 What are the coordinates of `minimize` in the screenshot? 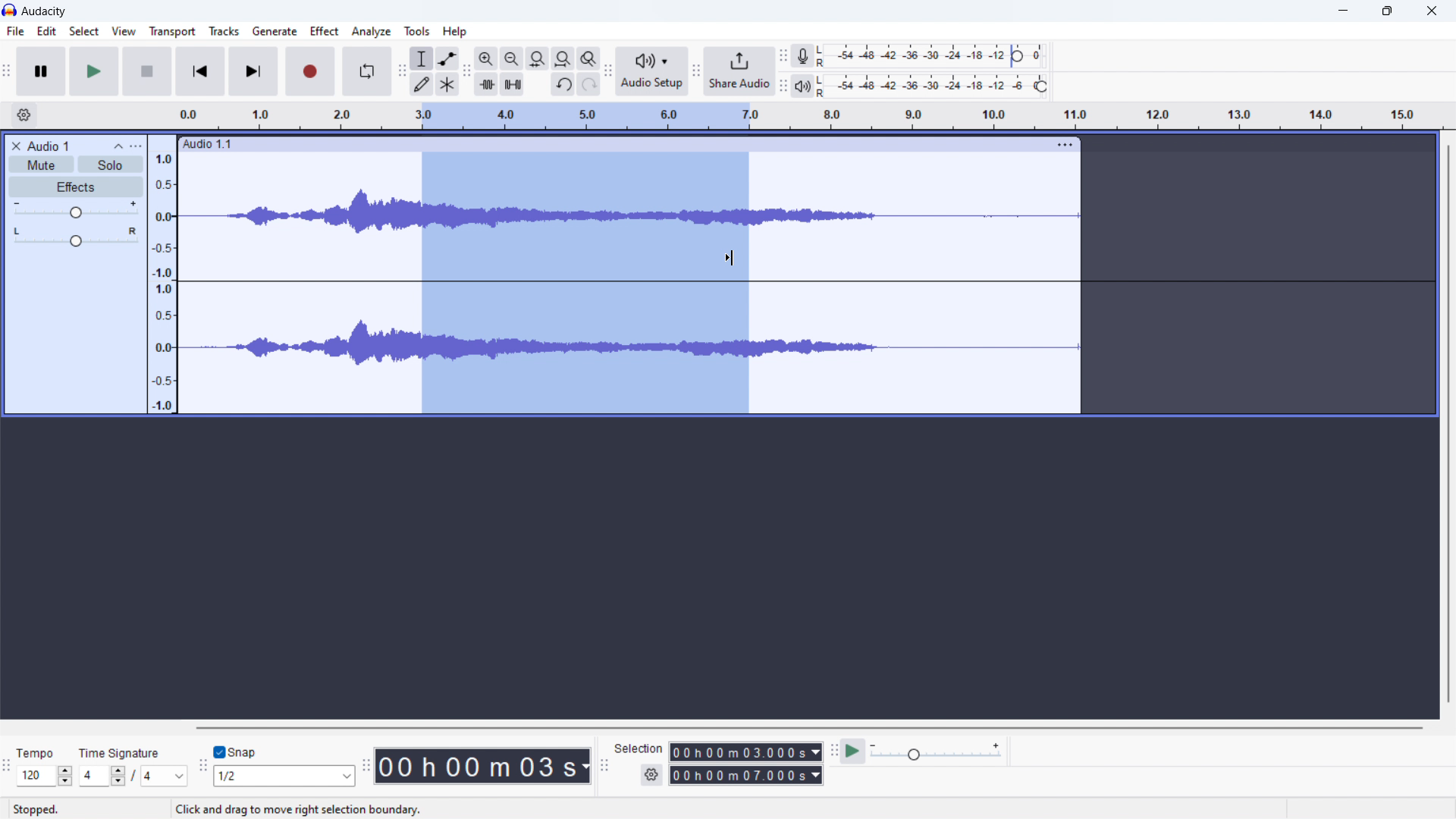 It's located at (1345, 11).